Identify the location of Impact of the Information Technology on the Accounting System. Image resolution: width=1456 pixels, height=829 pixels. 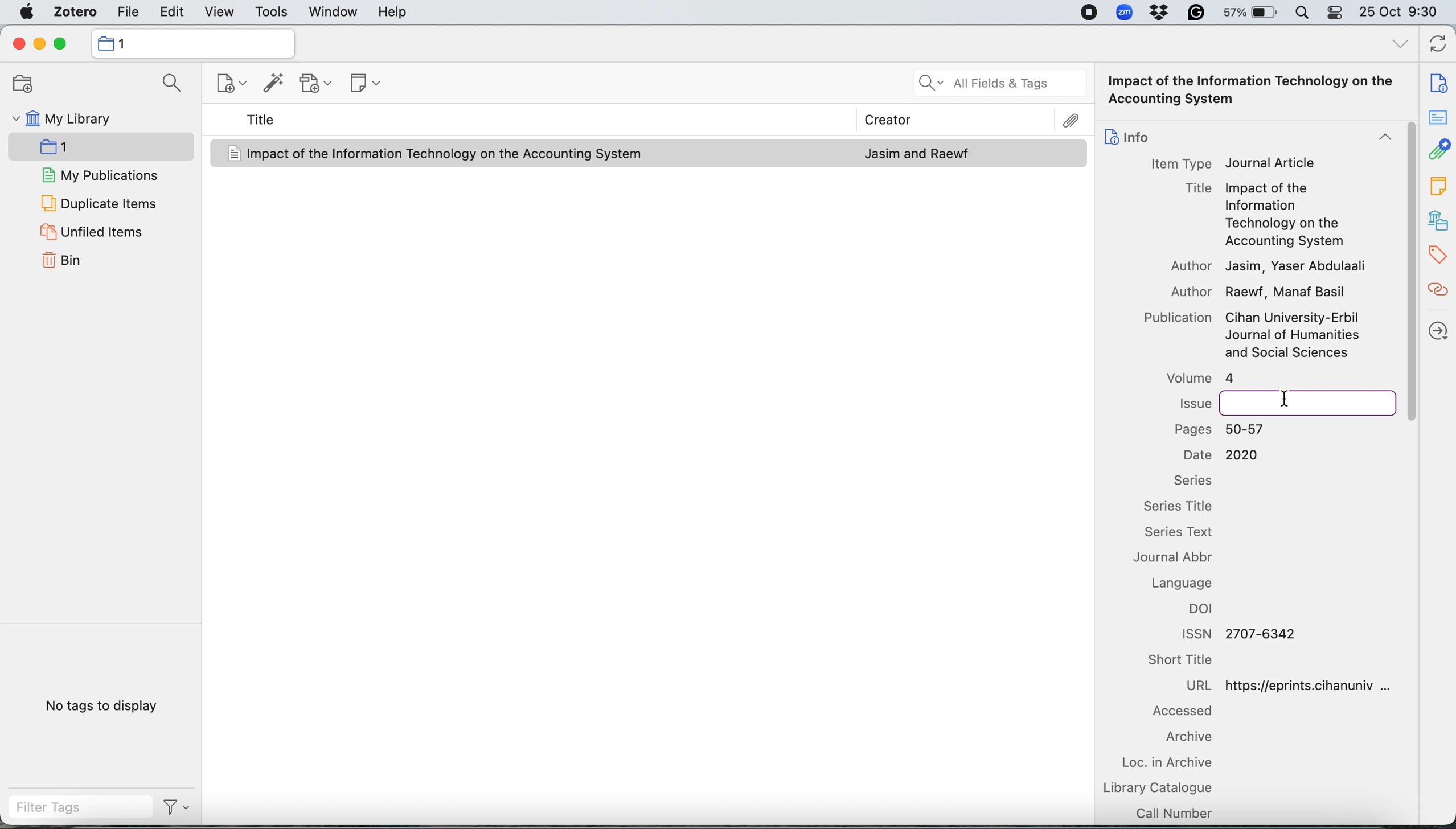
(446, 154).